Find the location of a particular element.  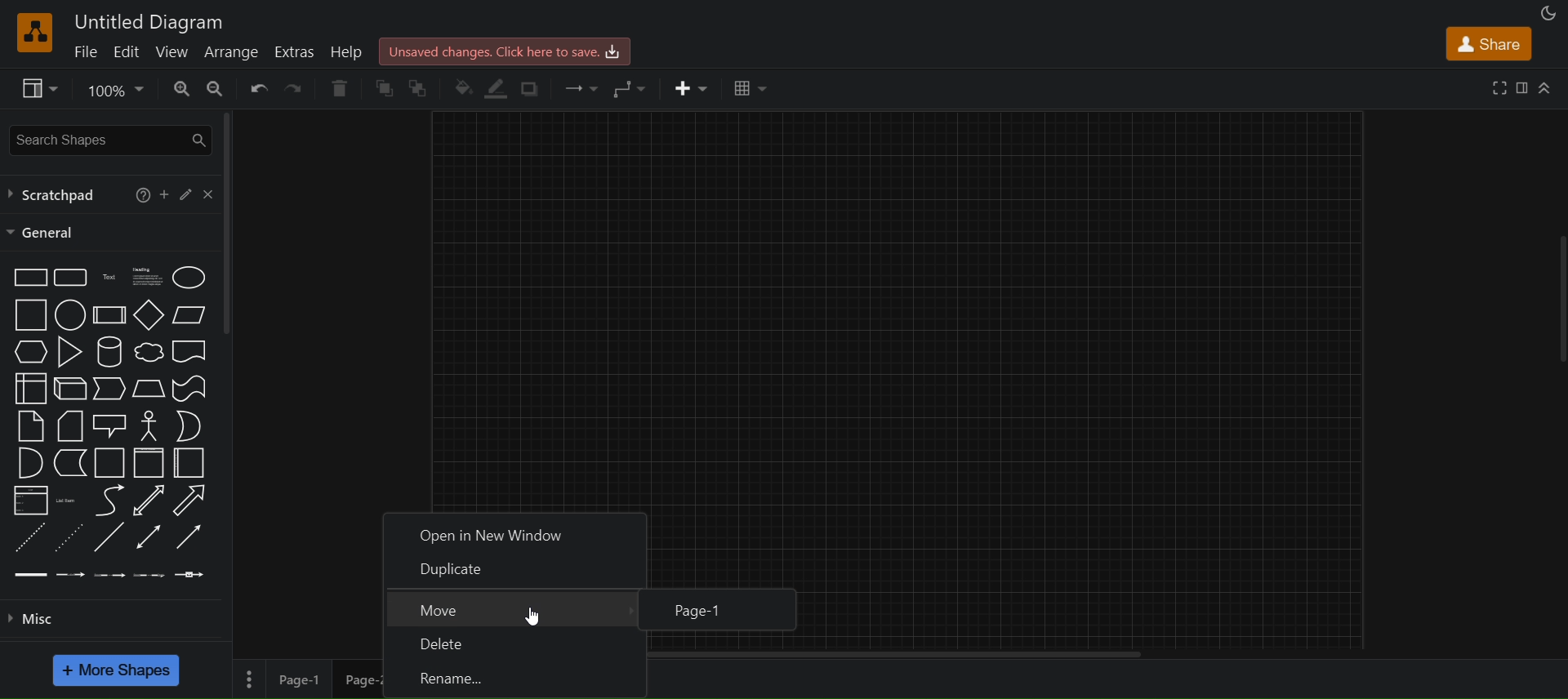

or is located at coordinates (189, 425).